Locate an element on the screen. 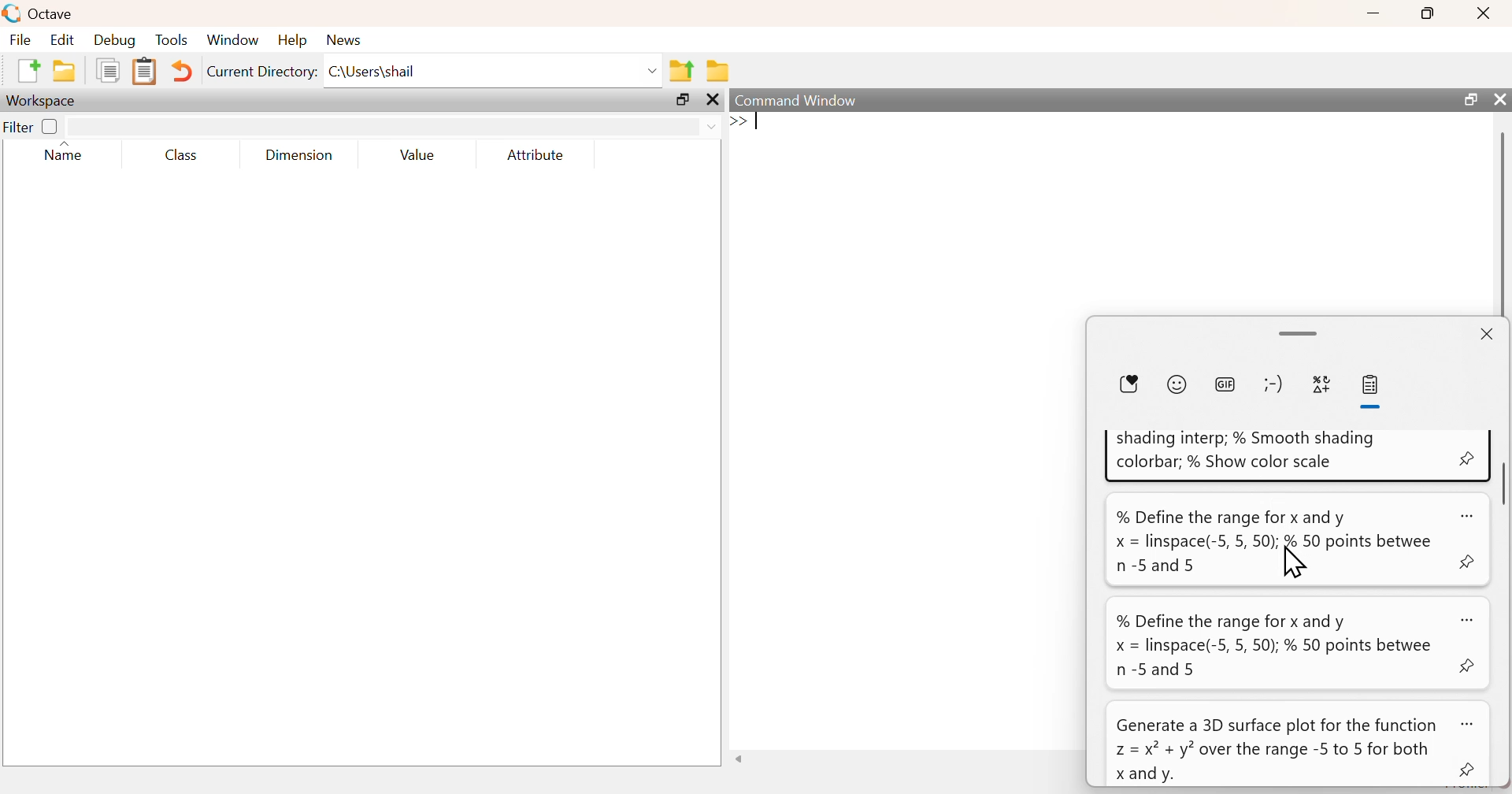 The width and height of the screenshot is (1512, 794). Debug is located at coordinates (115, 39).